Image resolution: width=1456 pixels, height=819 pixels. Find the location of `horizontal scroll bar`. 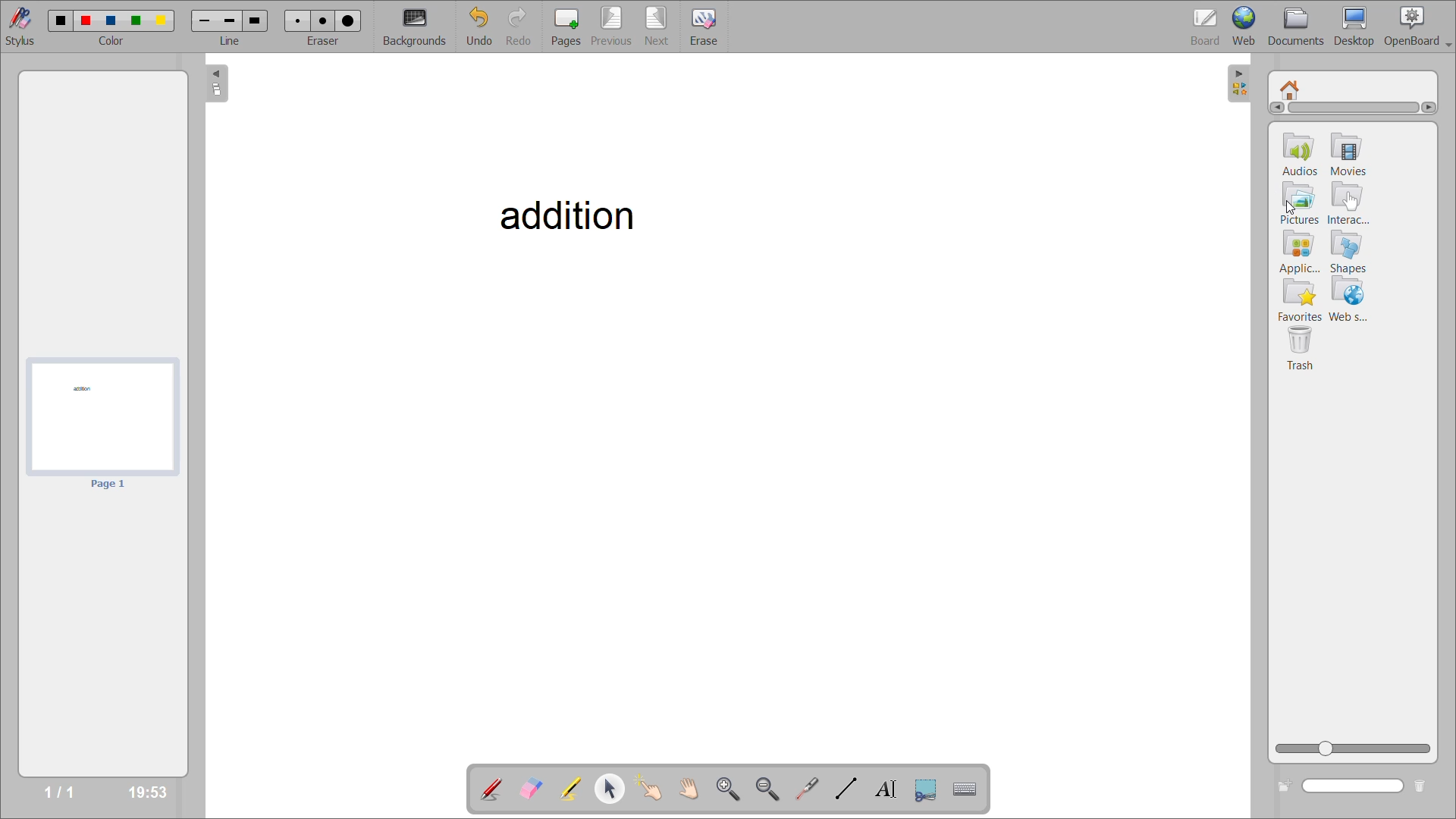

horizontal scroll bar is located at coordinates (1352, 107).